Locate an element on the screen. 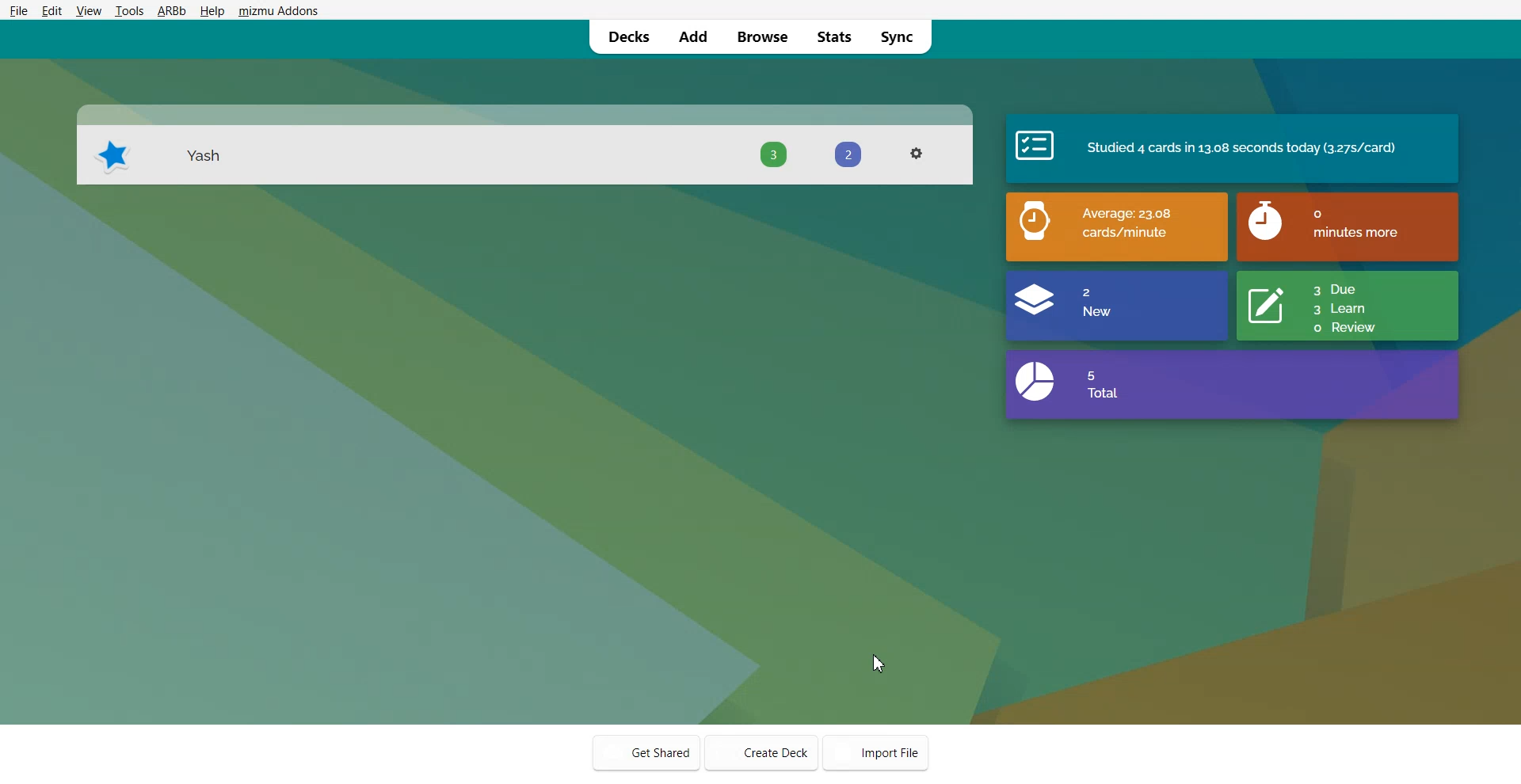  tools is located at coordinates (128, 10).